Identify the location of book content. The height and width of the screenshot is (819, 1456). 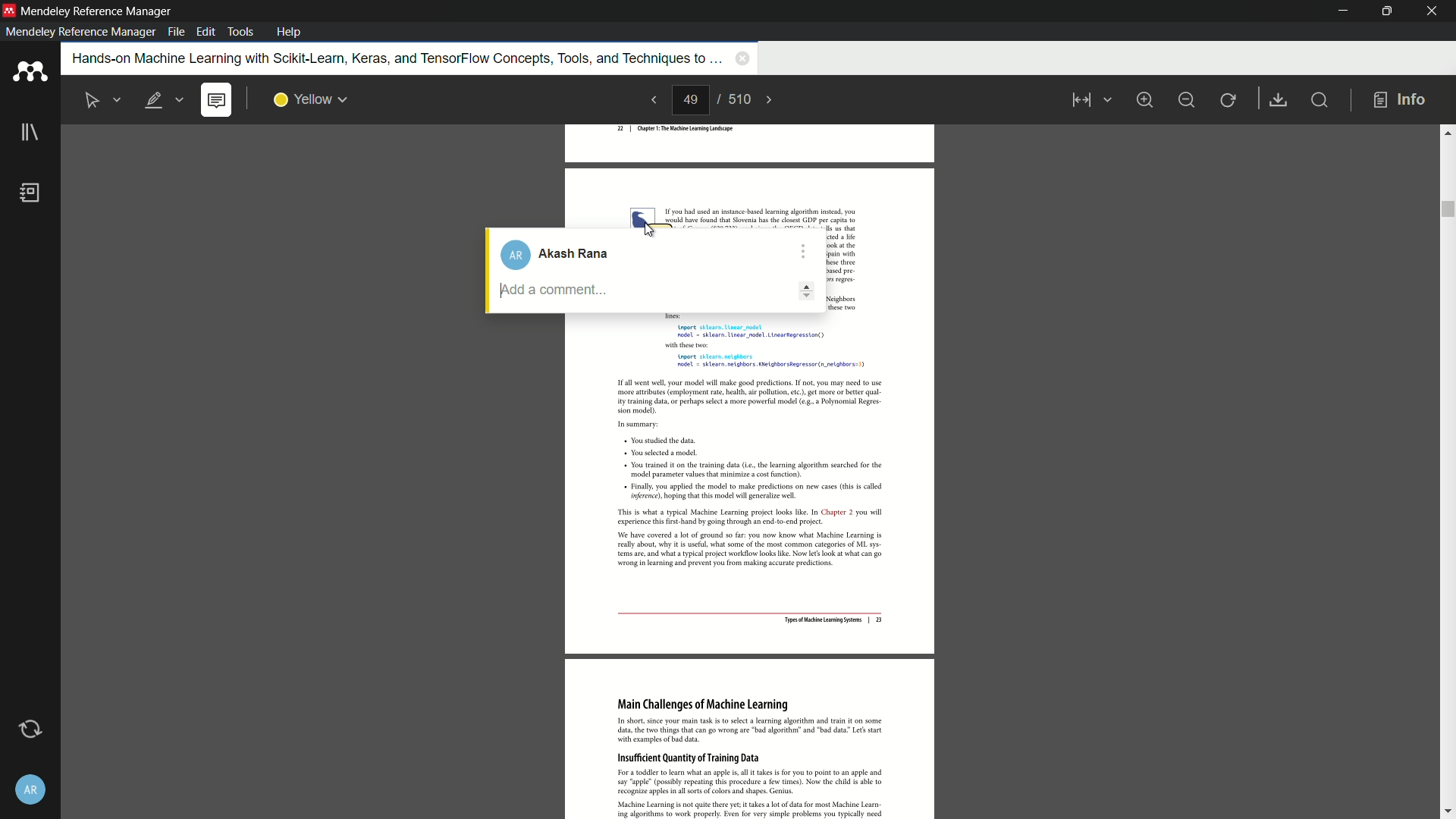
(752, 570).